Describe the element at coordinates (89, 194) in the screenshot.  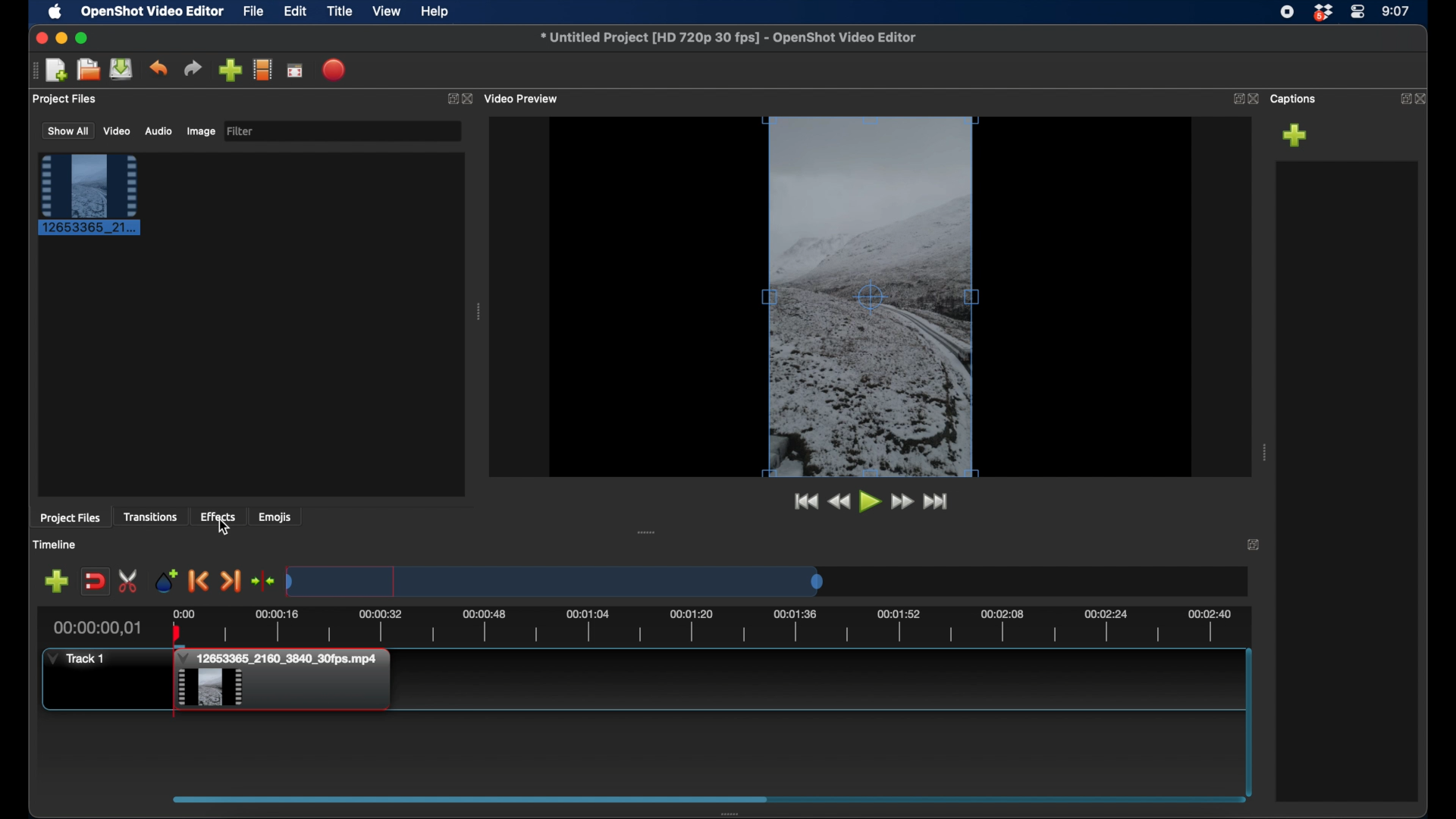
I see `clip selected` at that location.